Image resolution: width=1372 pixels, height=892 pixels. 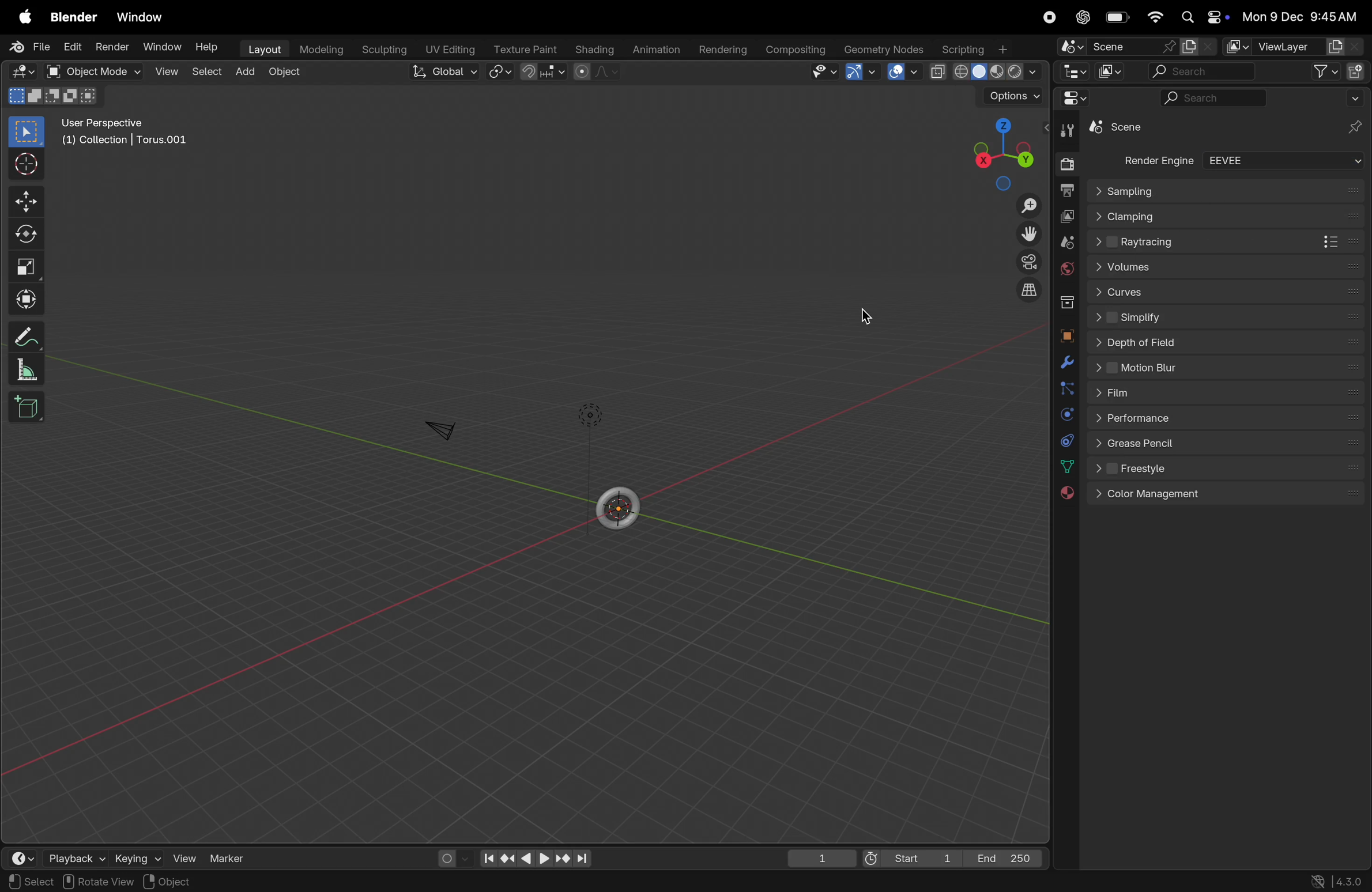 What do you see at coordinates (824, 73) in the screenshot?
I see `view` at bounding box center [824, 73].